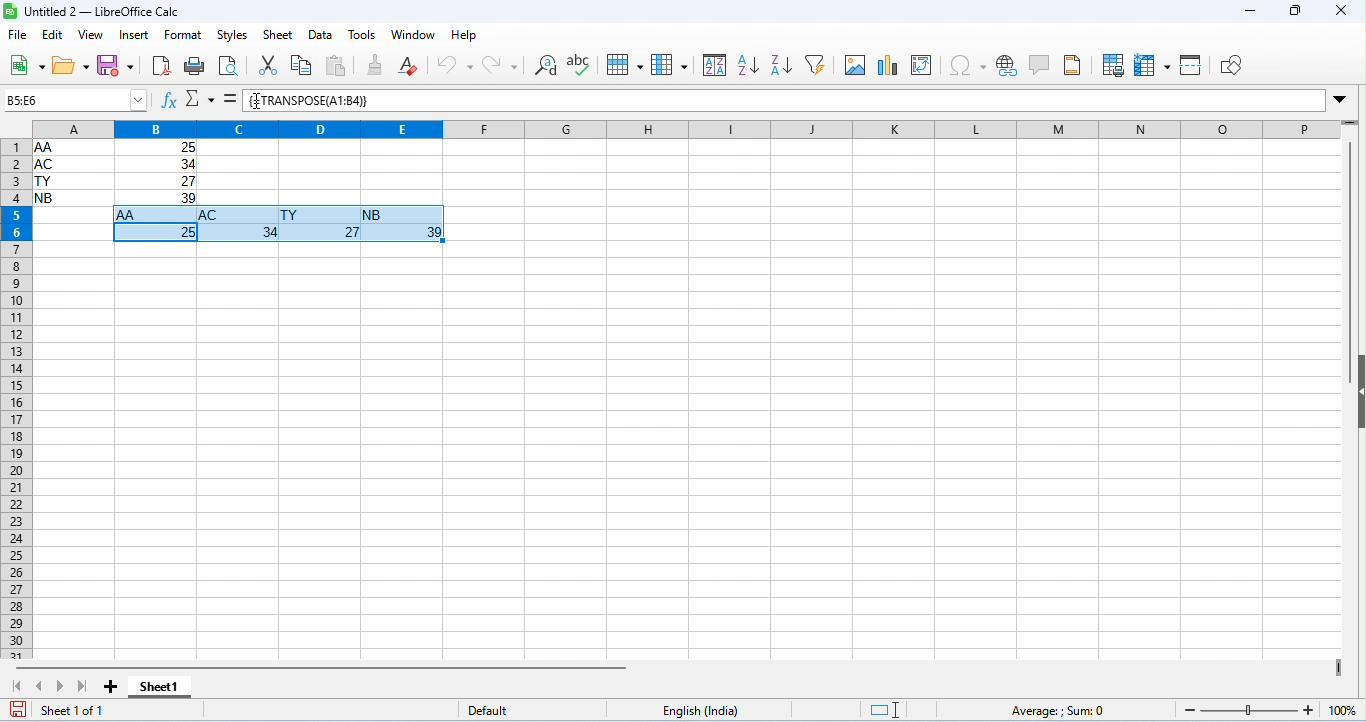 Image resolution: width=1366 pixels, height=722 pixels. Describe the element at coordinates (271, 64) in the screenshot. I see `cut` at that location.